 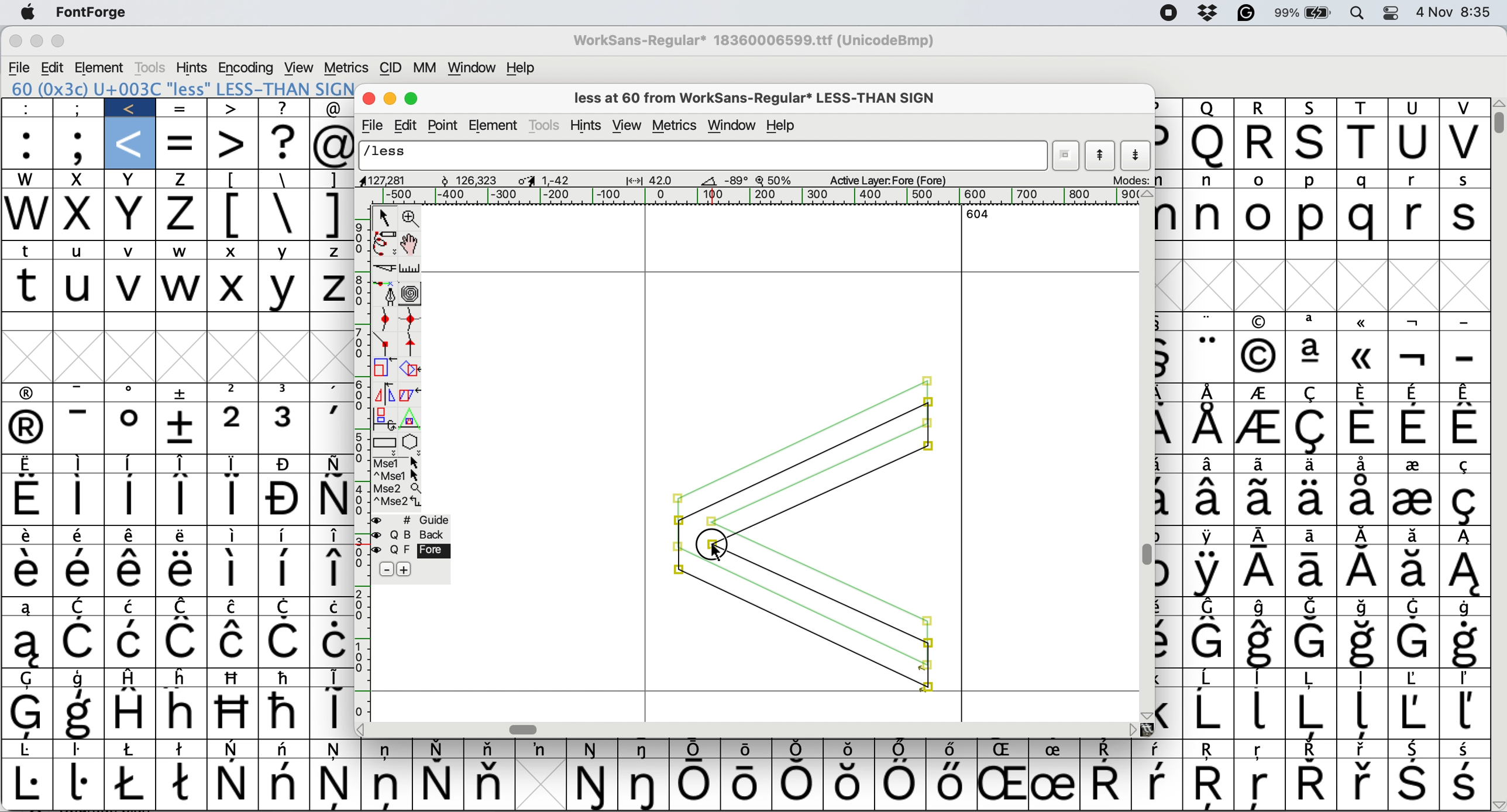 I want to click on Symbol, so click(x=184, y=786).